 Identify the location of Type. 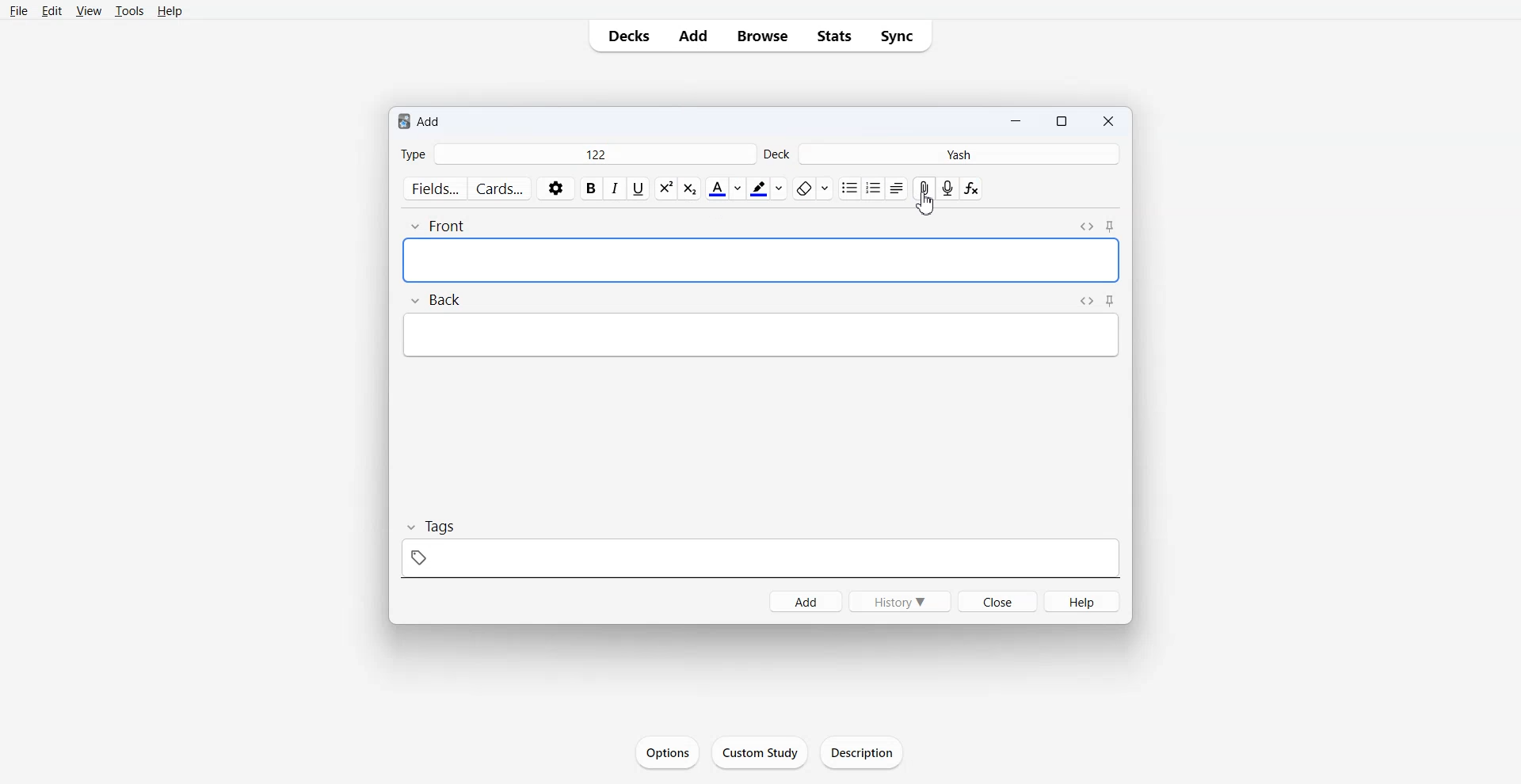
(413, 154).